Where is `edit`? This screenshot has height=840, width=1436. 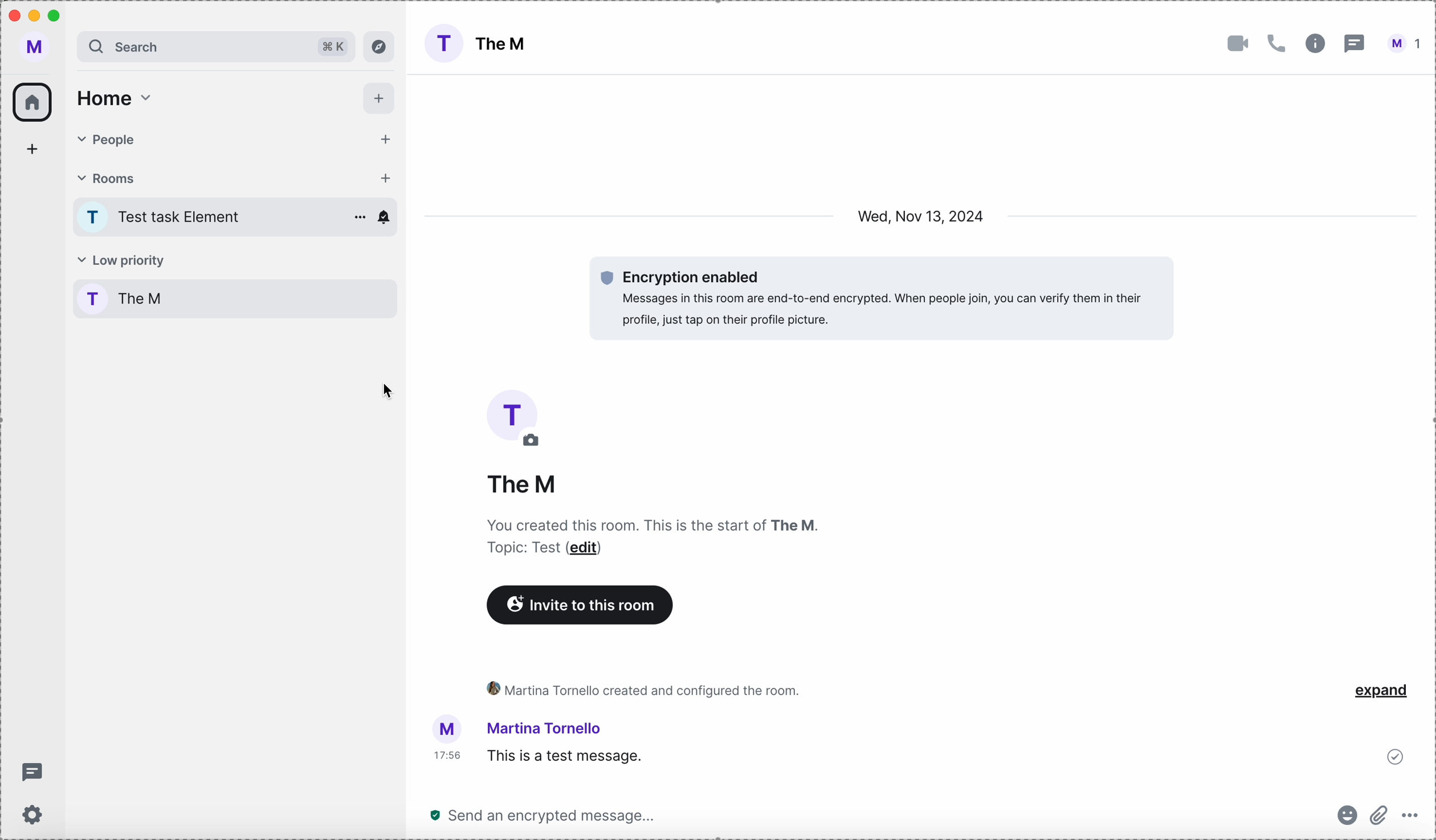 edit is located at coordinates (590, 549).